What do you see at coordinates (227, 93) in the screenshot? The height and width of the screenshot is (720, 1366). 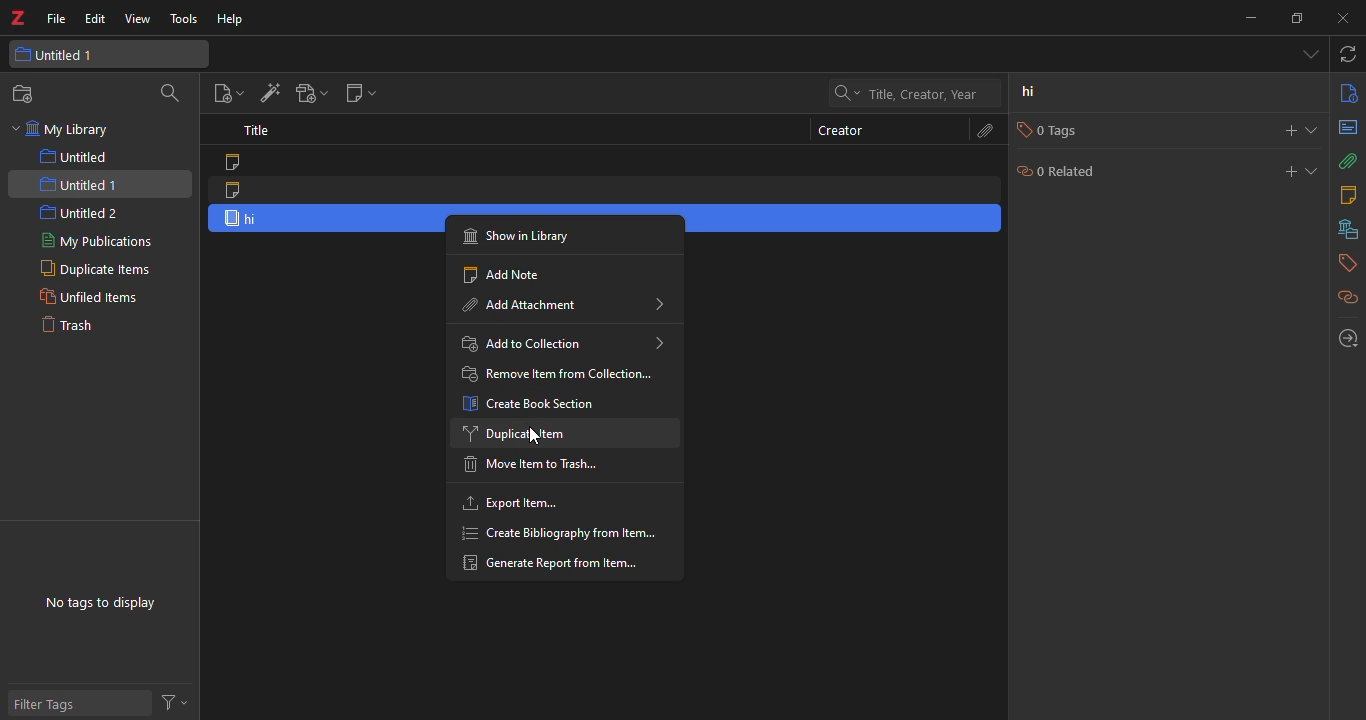 I see `new item` at bounding box center [227, 93].